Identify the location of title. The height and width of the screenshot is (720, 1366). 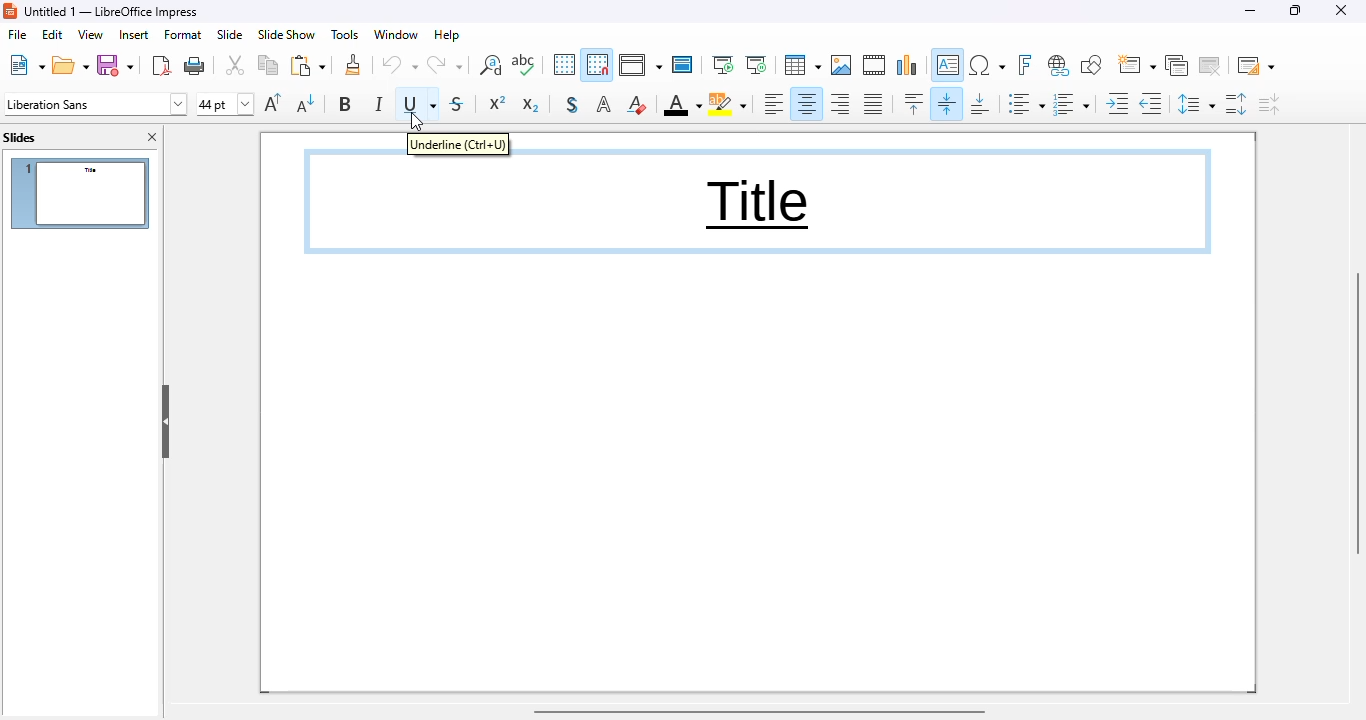
(112, 12).